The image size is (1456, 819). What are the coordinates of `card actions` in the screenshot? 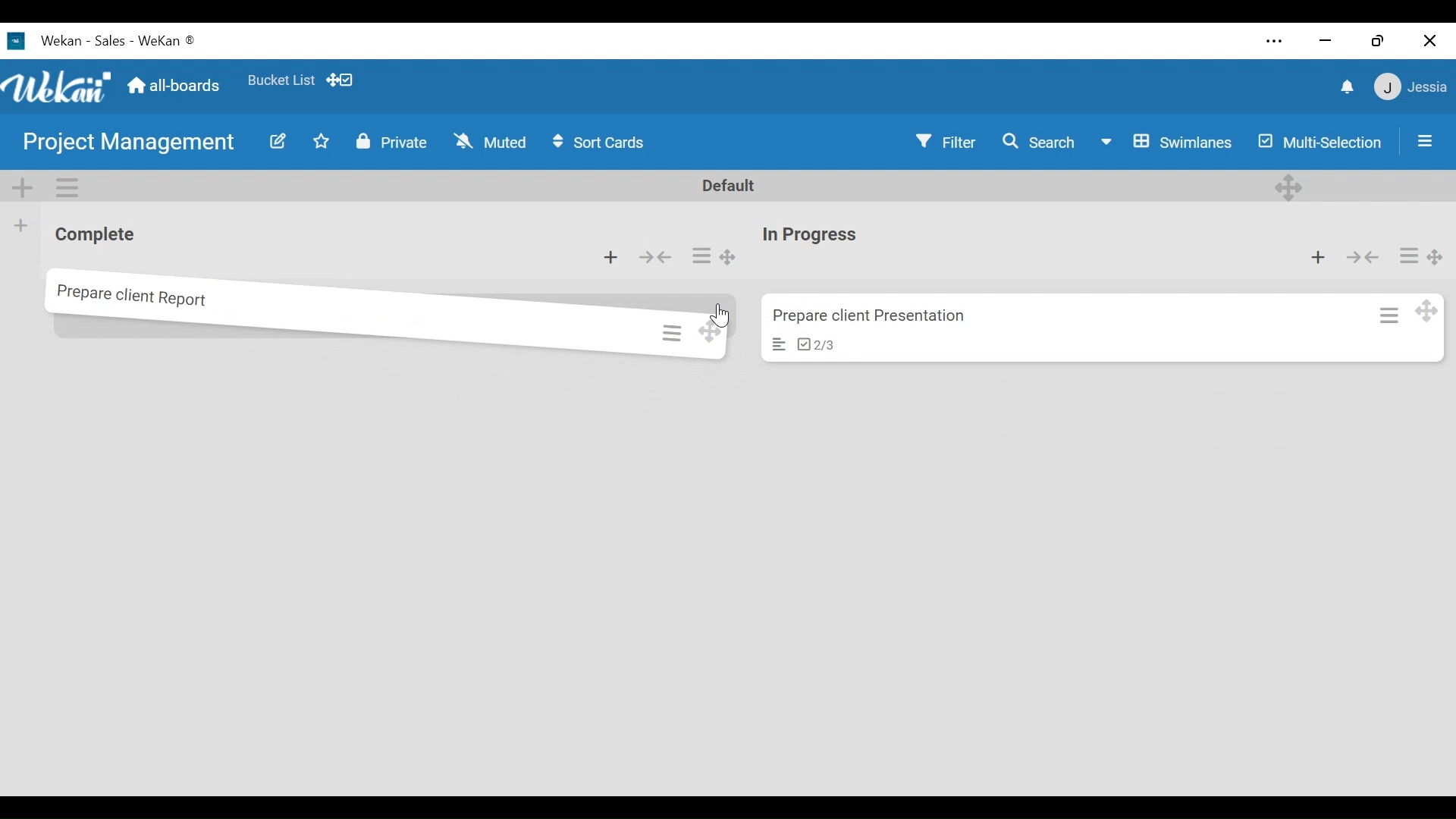 It's located at (668, 331).